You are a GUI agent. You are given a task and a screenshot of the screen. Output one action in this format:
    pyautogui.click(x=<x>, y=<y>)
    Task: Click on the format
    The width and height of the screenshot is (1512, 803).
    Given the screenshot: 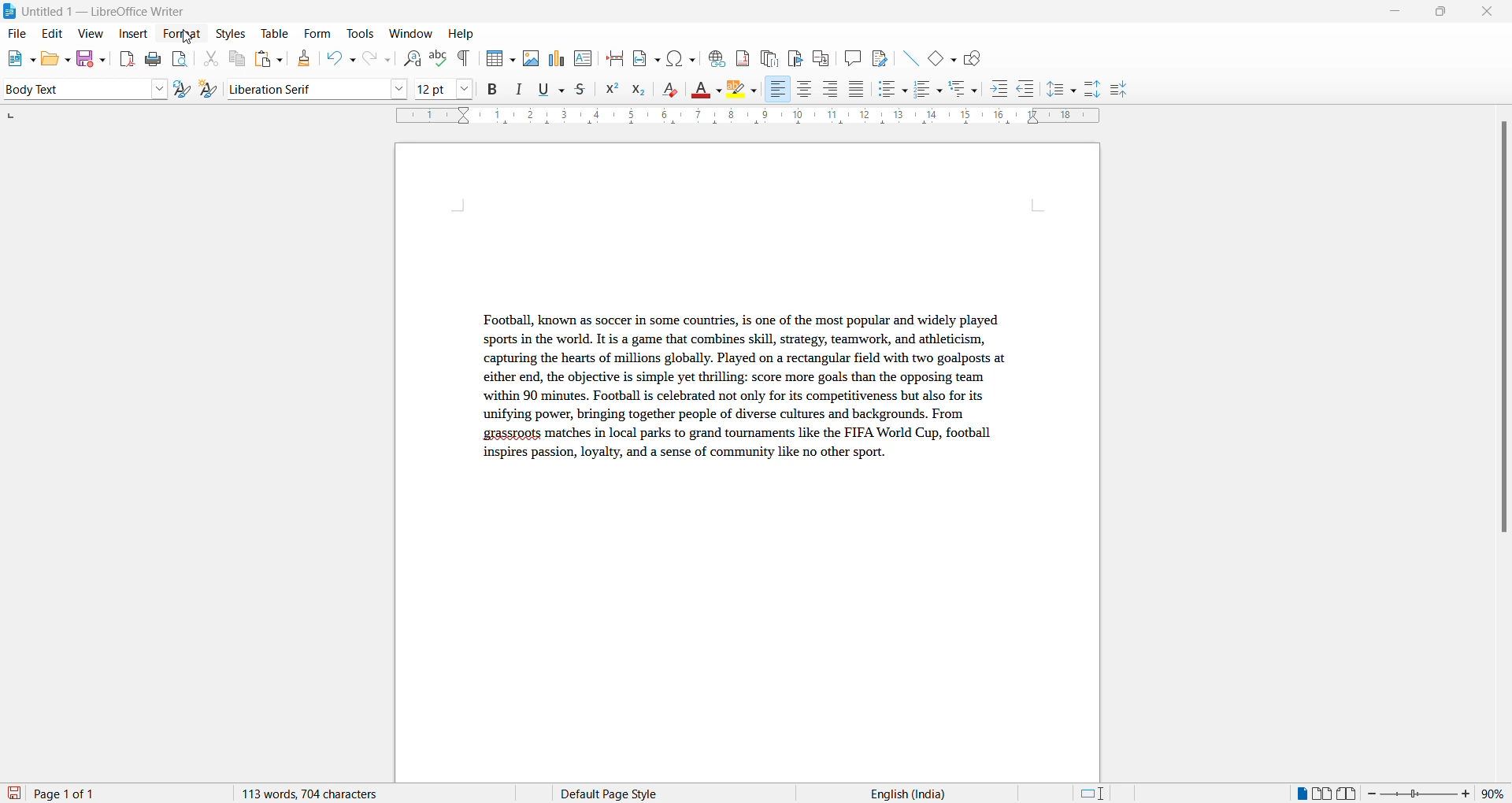 What is the action you would take?
    pyautogui.click(x=178, y=35)
    